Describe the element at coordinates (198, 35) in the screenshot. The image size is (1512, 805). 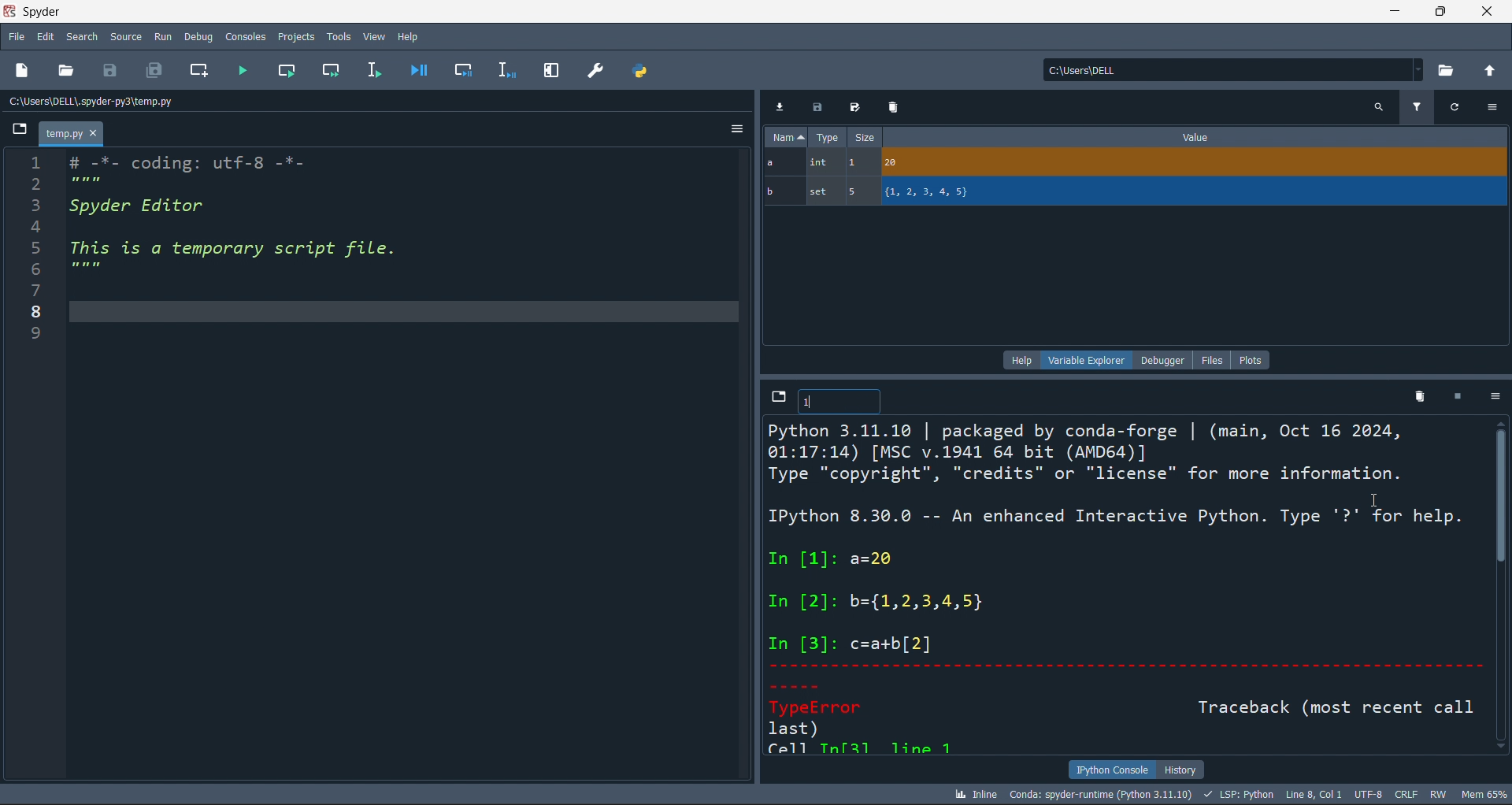
I see `debuf` at that location.